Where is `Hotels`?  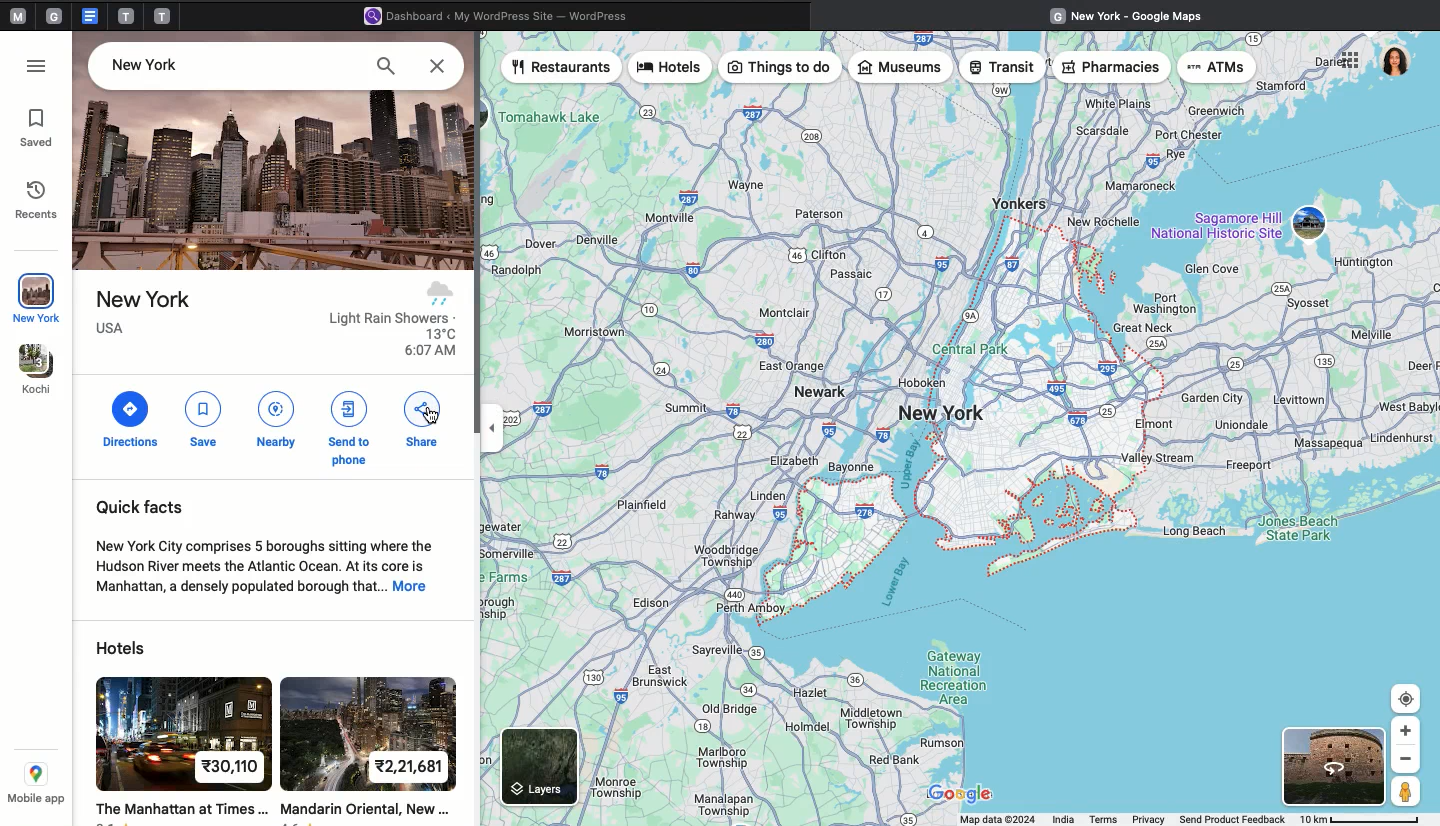
Hotels is located at coordinates (673, 70).